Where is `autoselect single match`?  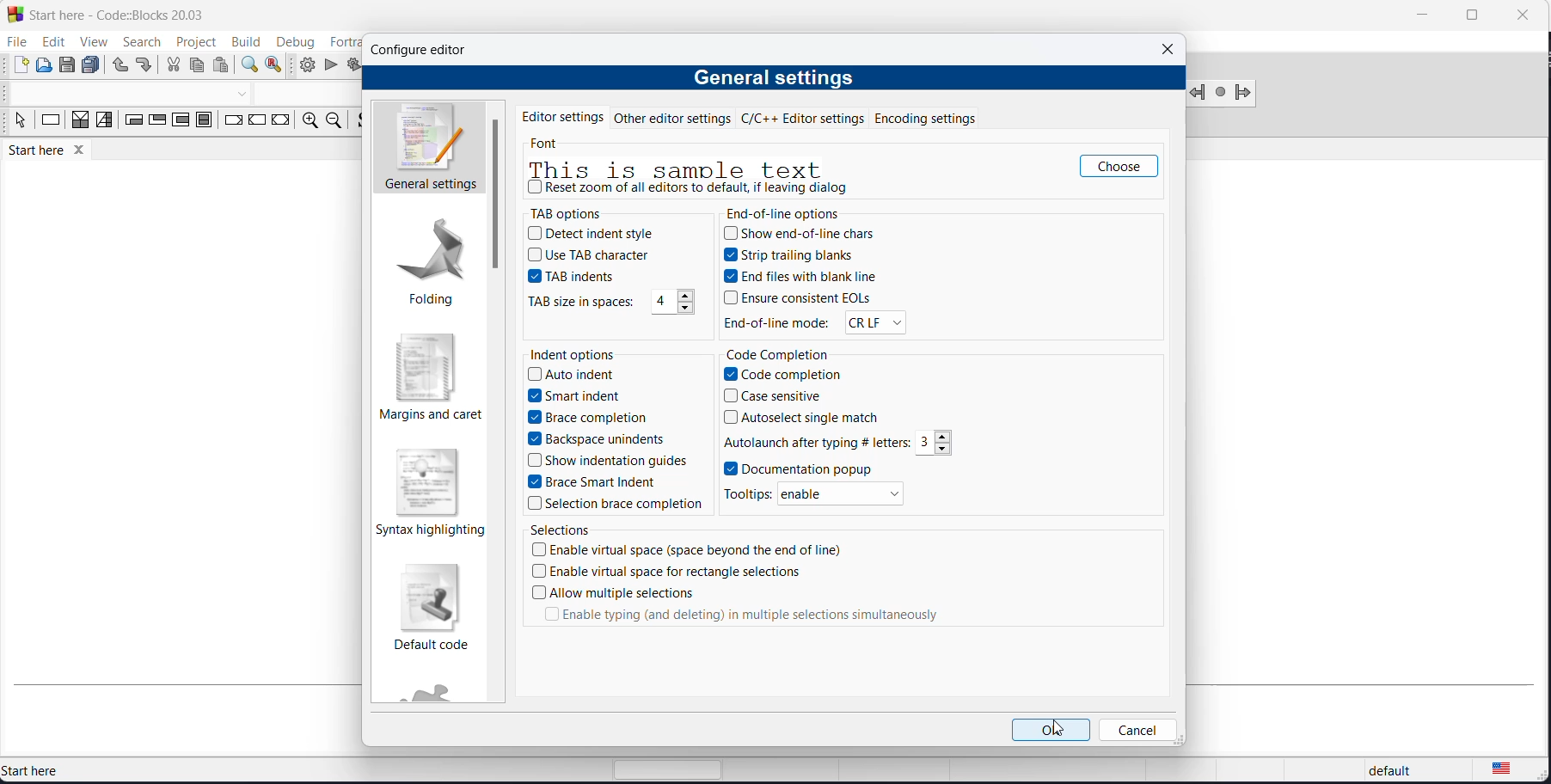
autoselect single match is located at coordinates (807, 418).